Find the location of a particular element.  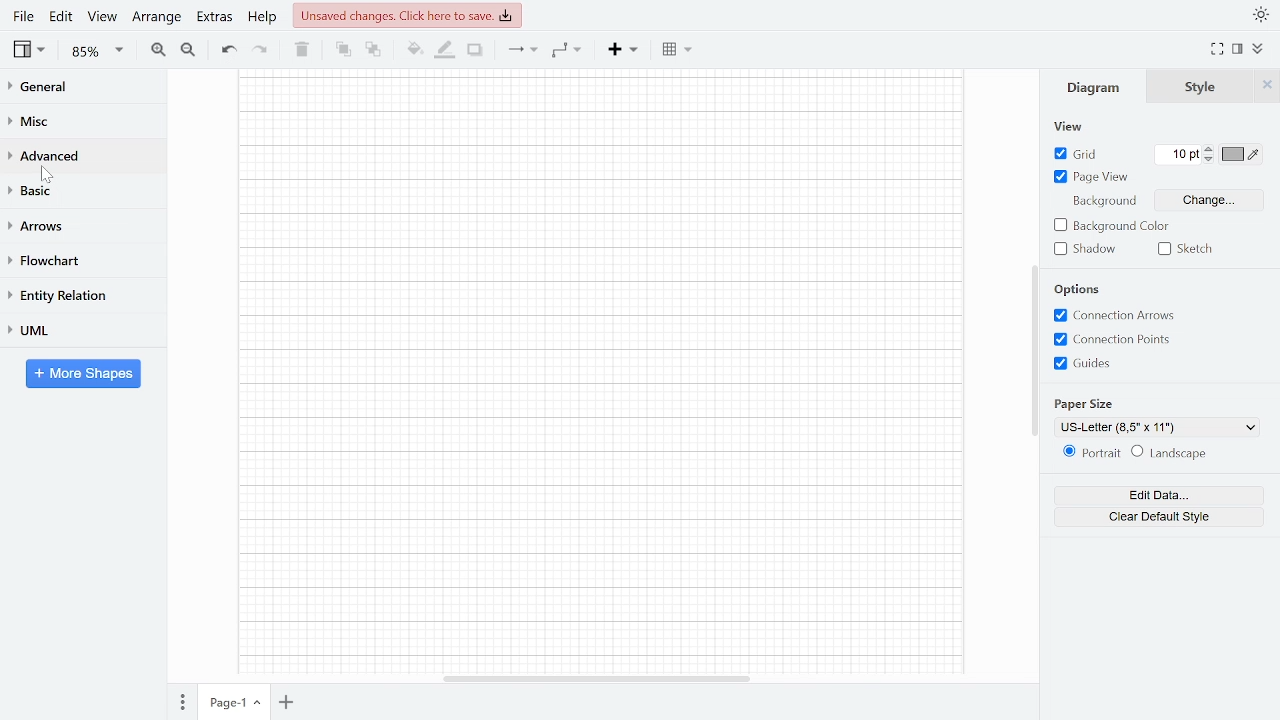

Potrait is located at coordinates (1090, 453).